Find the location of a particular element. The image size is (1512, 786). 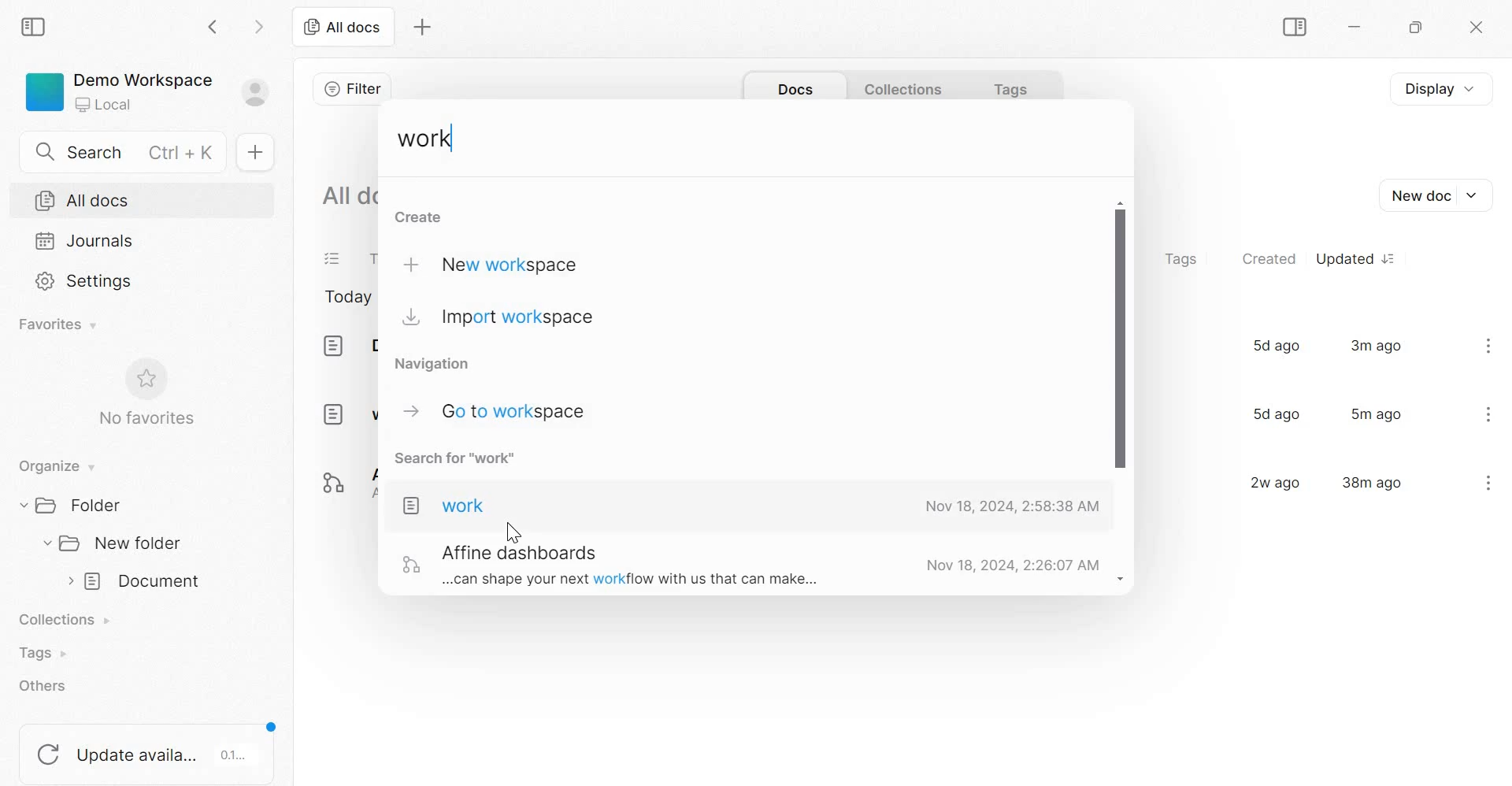

scroll bar is located at coordinates (1121, 395).